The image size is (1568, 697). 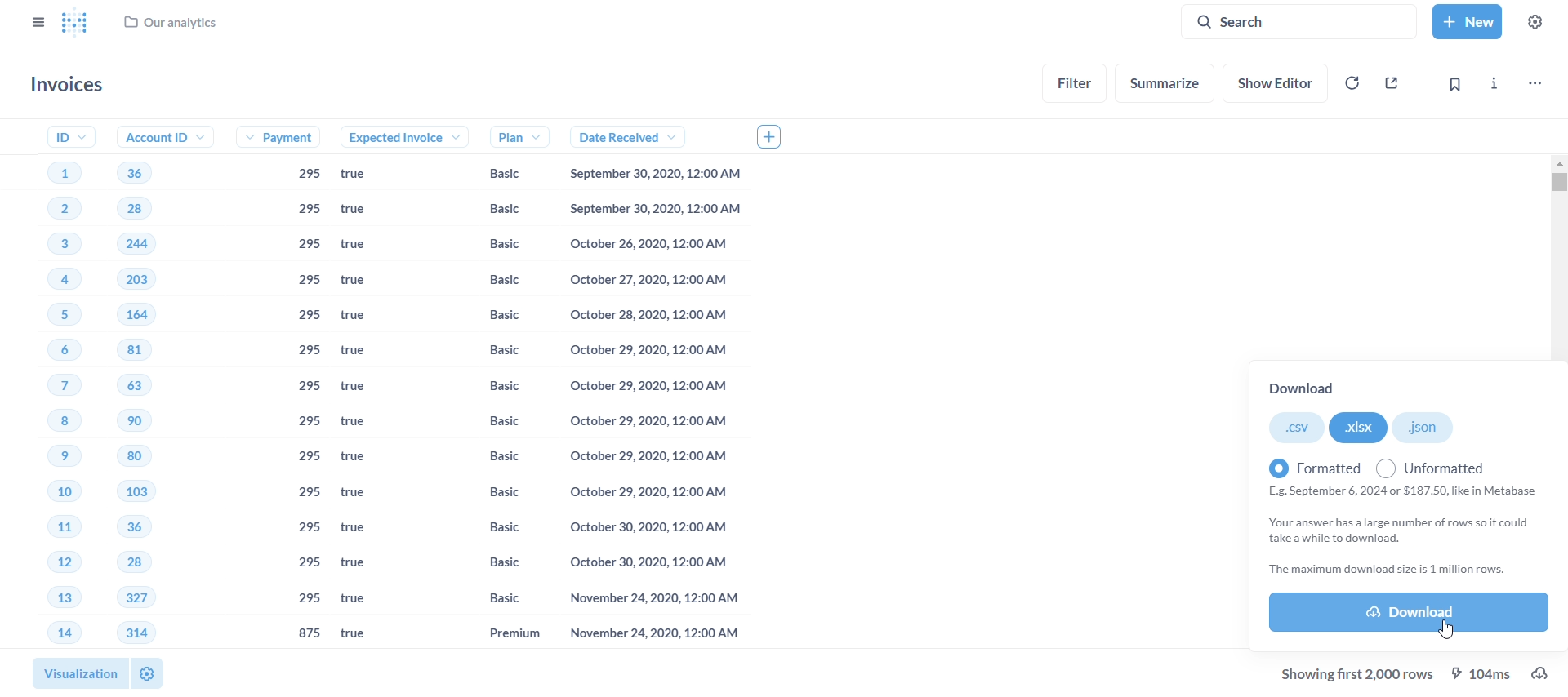 I want to click on .json, so click(x=1424, y=428).